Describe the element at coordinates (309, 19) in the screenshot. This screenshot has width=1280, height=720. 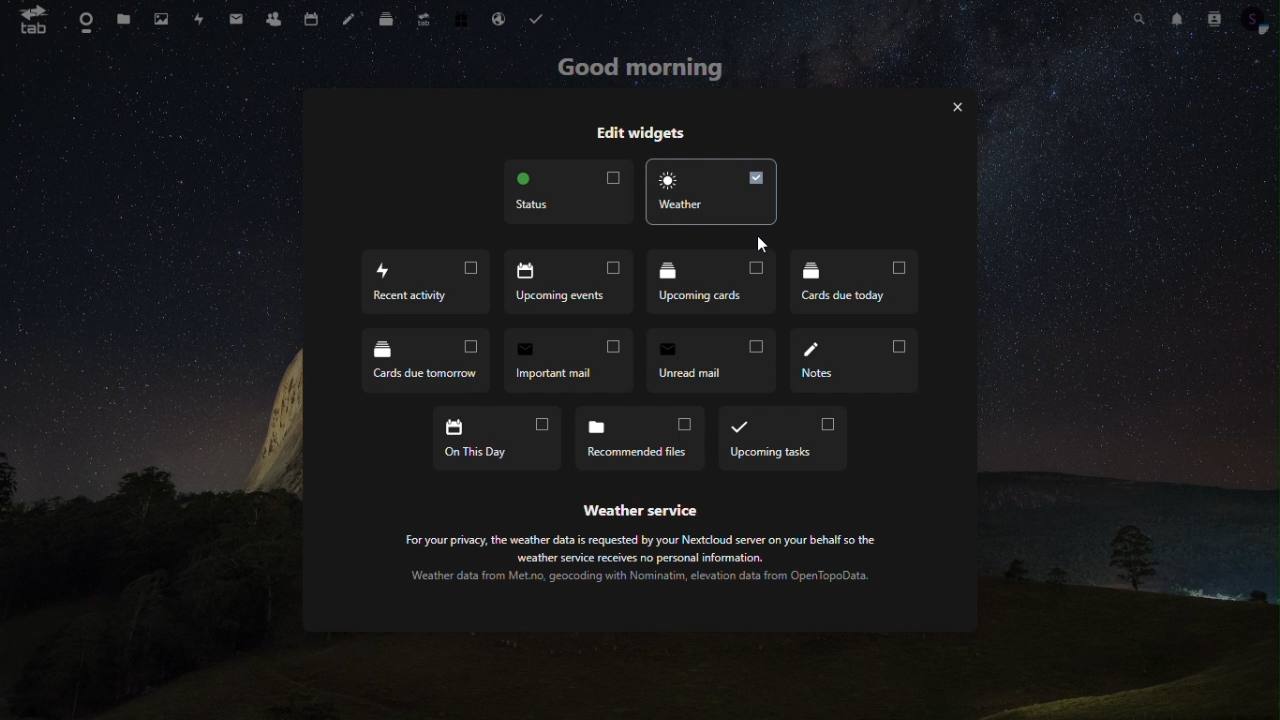
I see `calendar` at that location.